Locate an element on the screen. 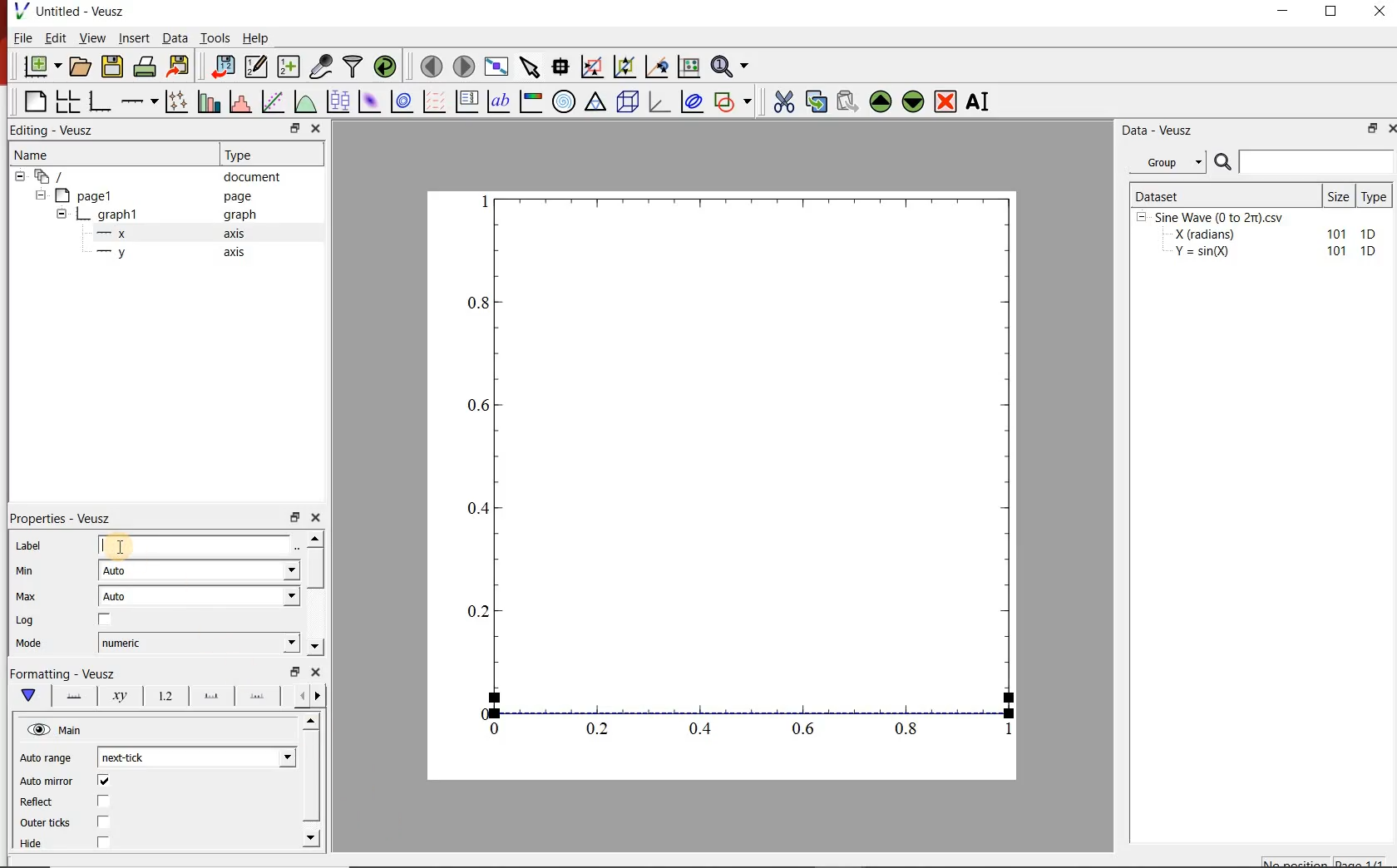 This screenshot has height=868, width=1397. plot key is located at coordinates (468, 101).